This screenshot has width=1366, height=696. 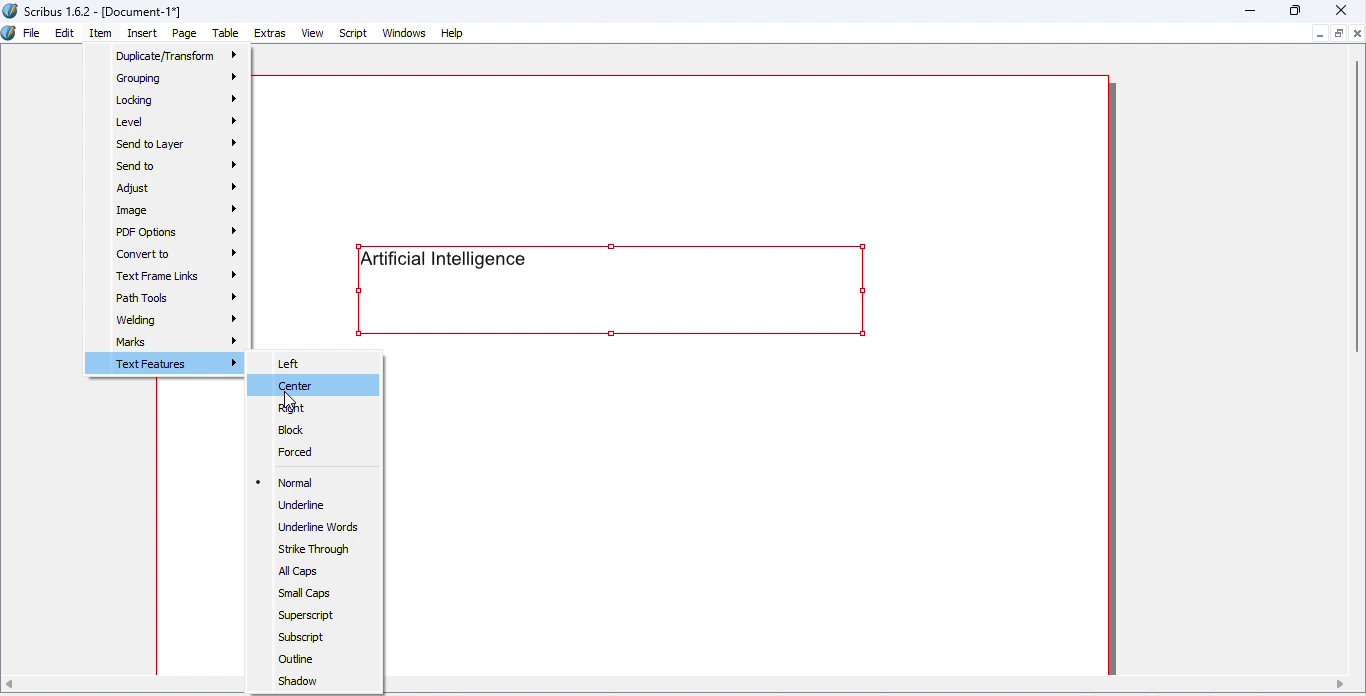 I want to click on Normal, so click(x=292, y=483).